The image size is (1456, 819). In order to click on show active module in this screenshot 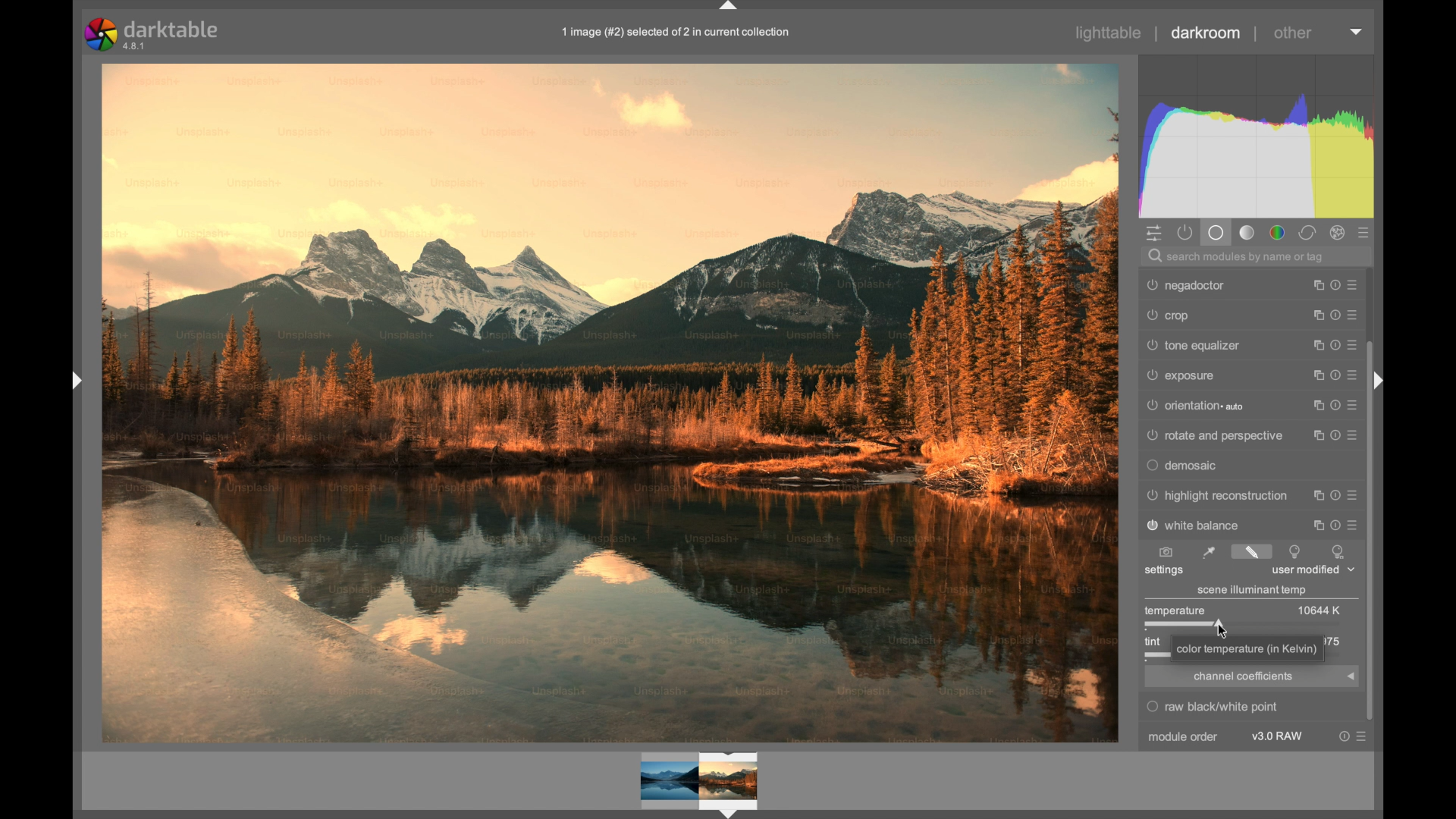, I will do `click(1186, 232)`.